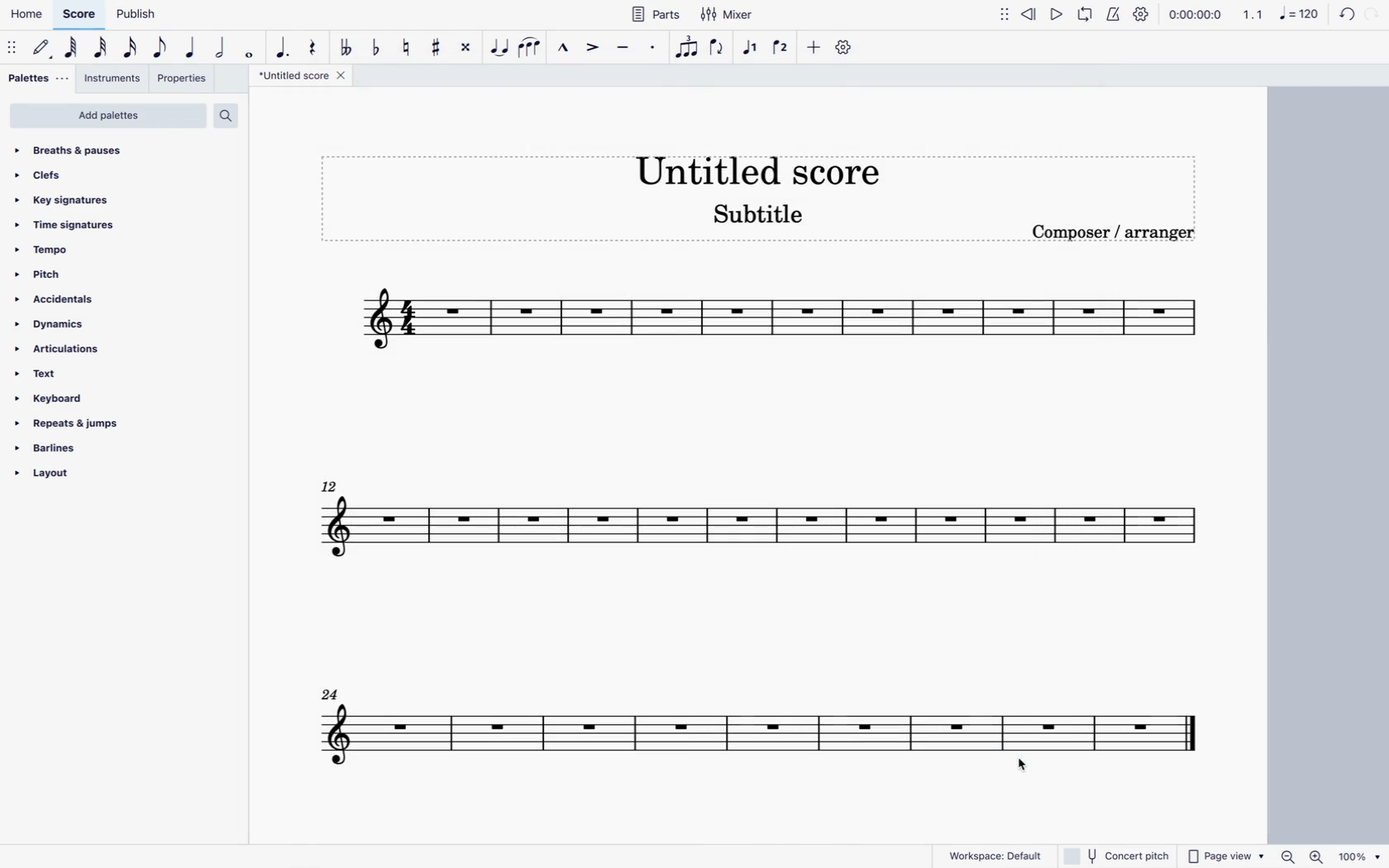 Image resolution: width=1389 pixels, height=868 pixels. Describe the element at coordinates (1347, 17) in the screenshot. I see `undo` at that location.